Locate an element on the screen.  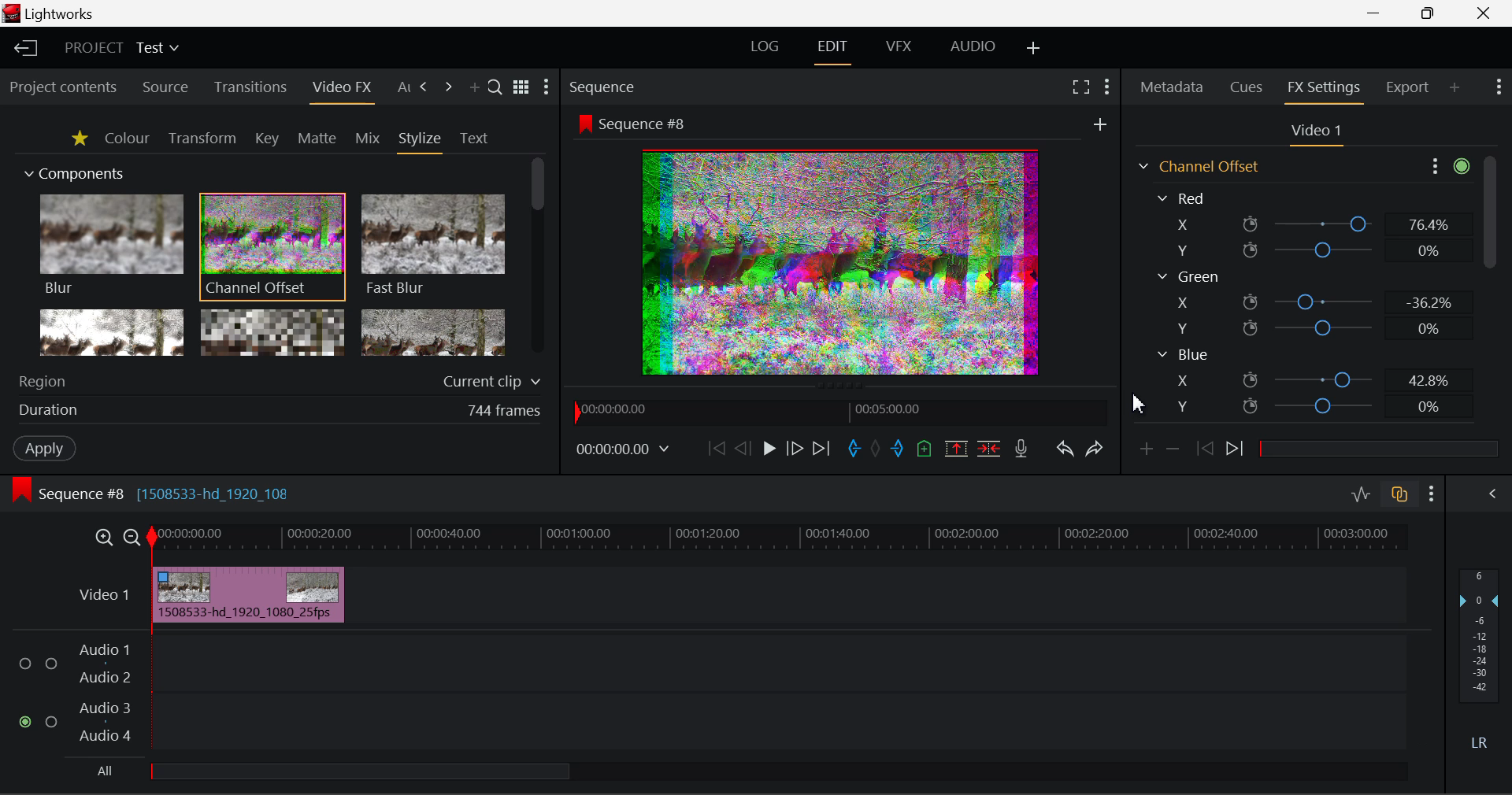
Channel Offset is located at coordinates (272, 248).